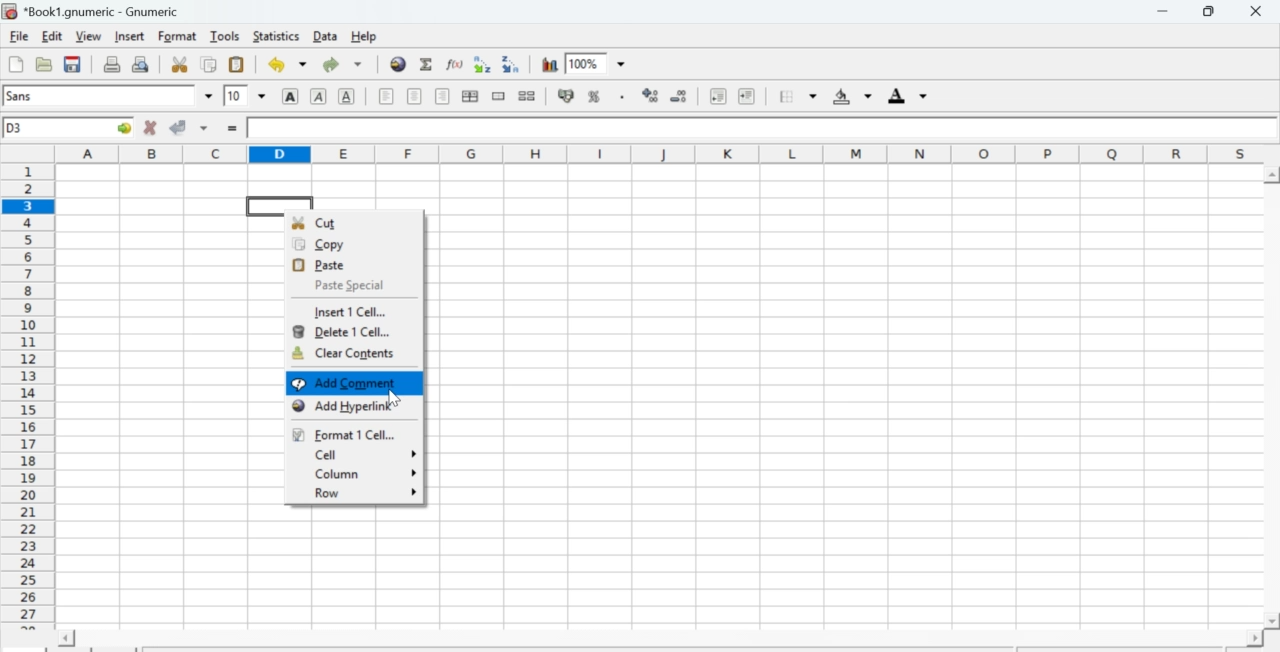 This screenshot has height=652, width=1280. Describe the element at coordinates (365, 474) in the screenshot. I see `Column` at that location.